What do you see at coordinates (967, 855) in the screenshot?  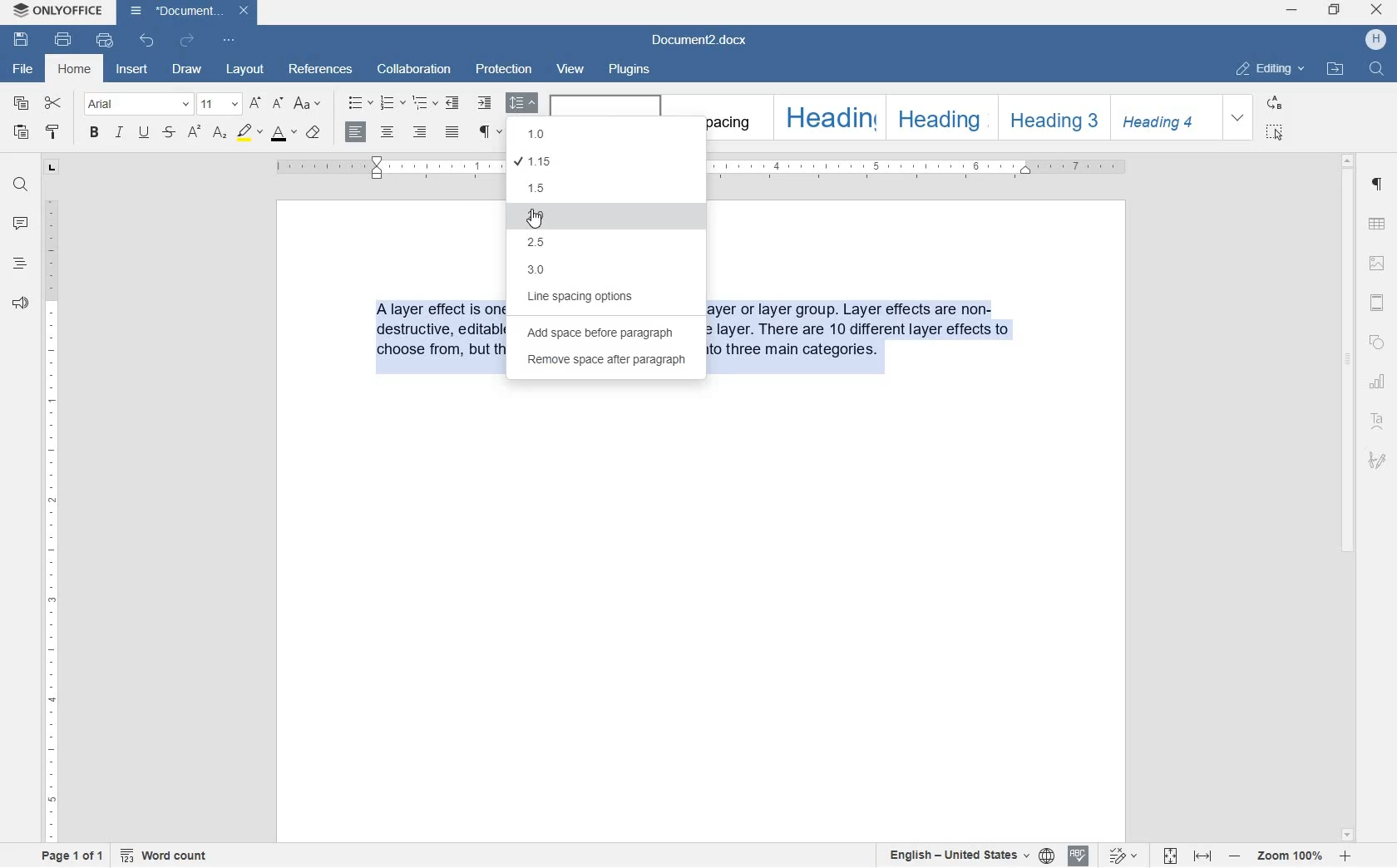 I see `set text or document language` at bounding box center [967, 855].